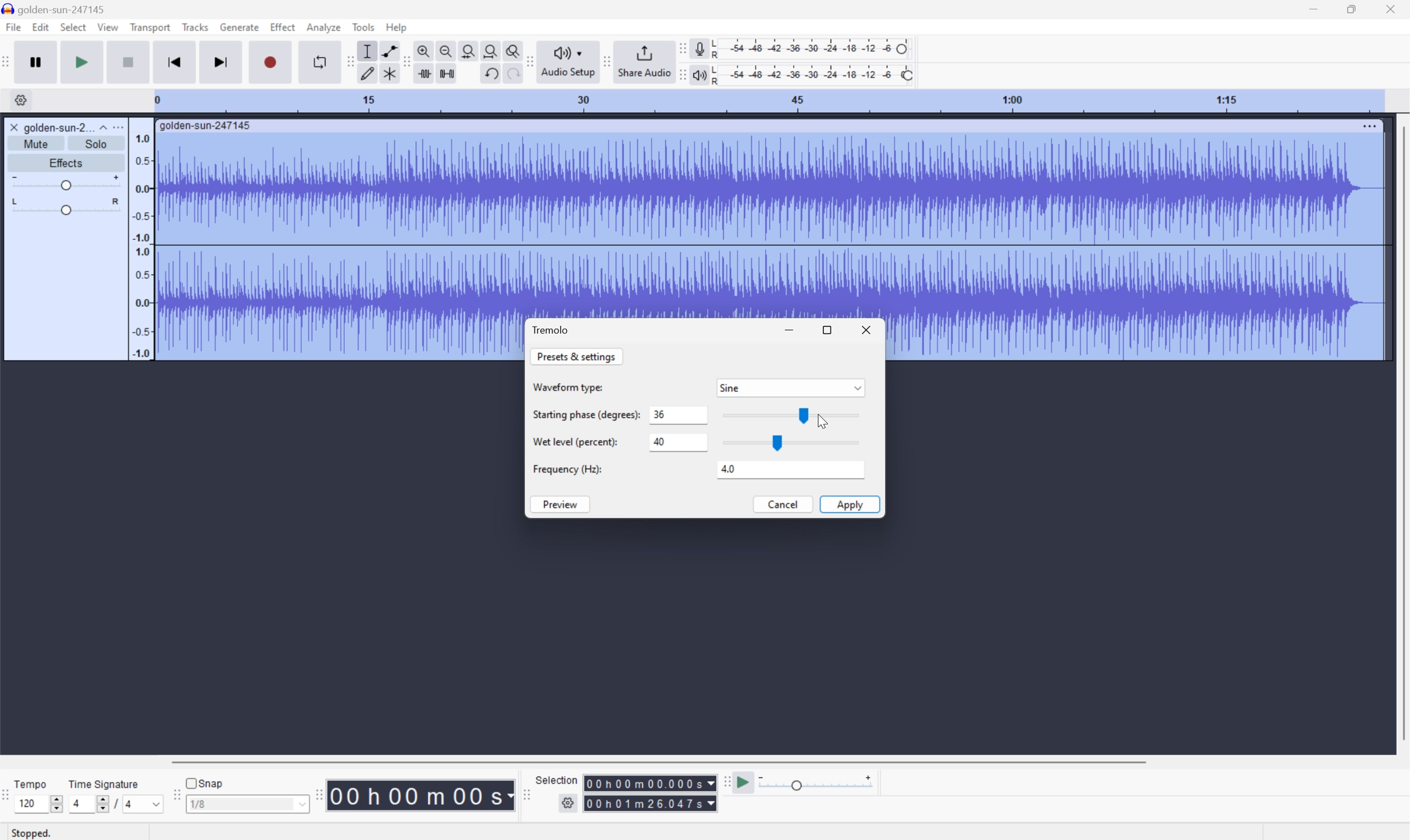 Image resolution: width=1410 pixels, height=840 pixels. What do you see at coordinates (576, 441) in the screenshot?
I see `Wet level (percent):` at bounding box center [576, 441].